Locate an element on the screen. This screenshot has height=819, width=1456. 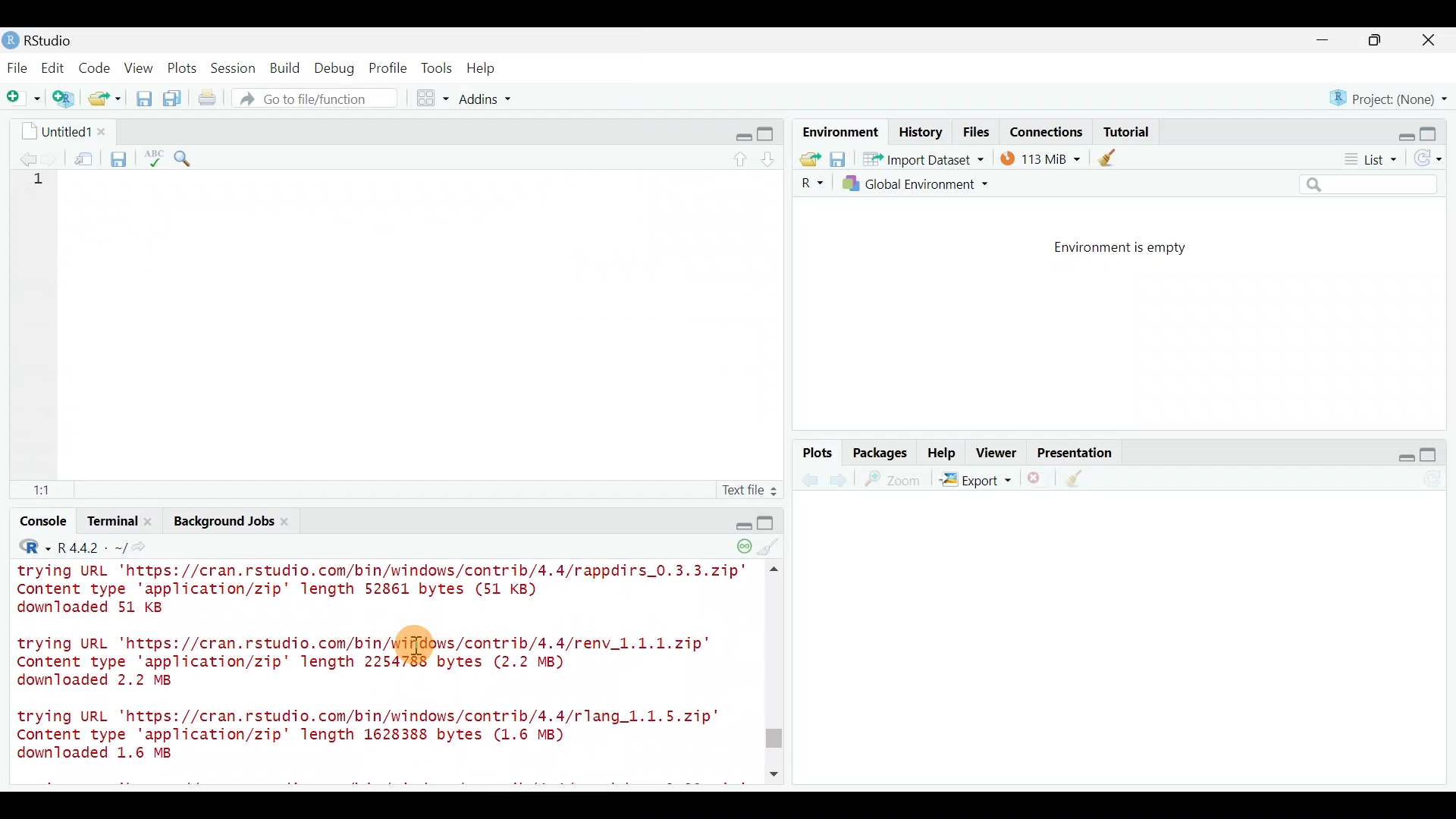
close background jobs is located at coordinates (290, 521).